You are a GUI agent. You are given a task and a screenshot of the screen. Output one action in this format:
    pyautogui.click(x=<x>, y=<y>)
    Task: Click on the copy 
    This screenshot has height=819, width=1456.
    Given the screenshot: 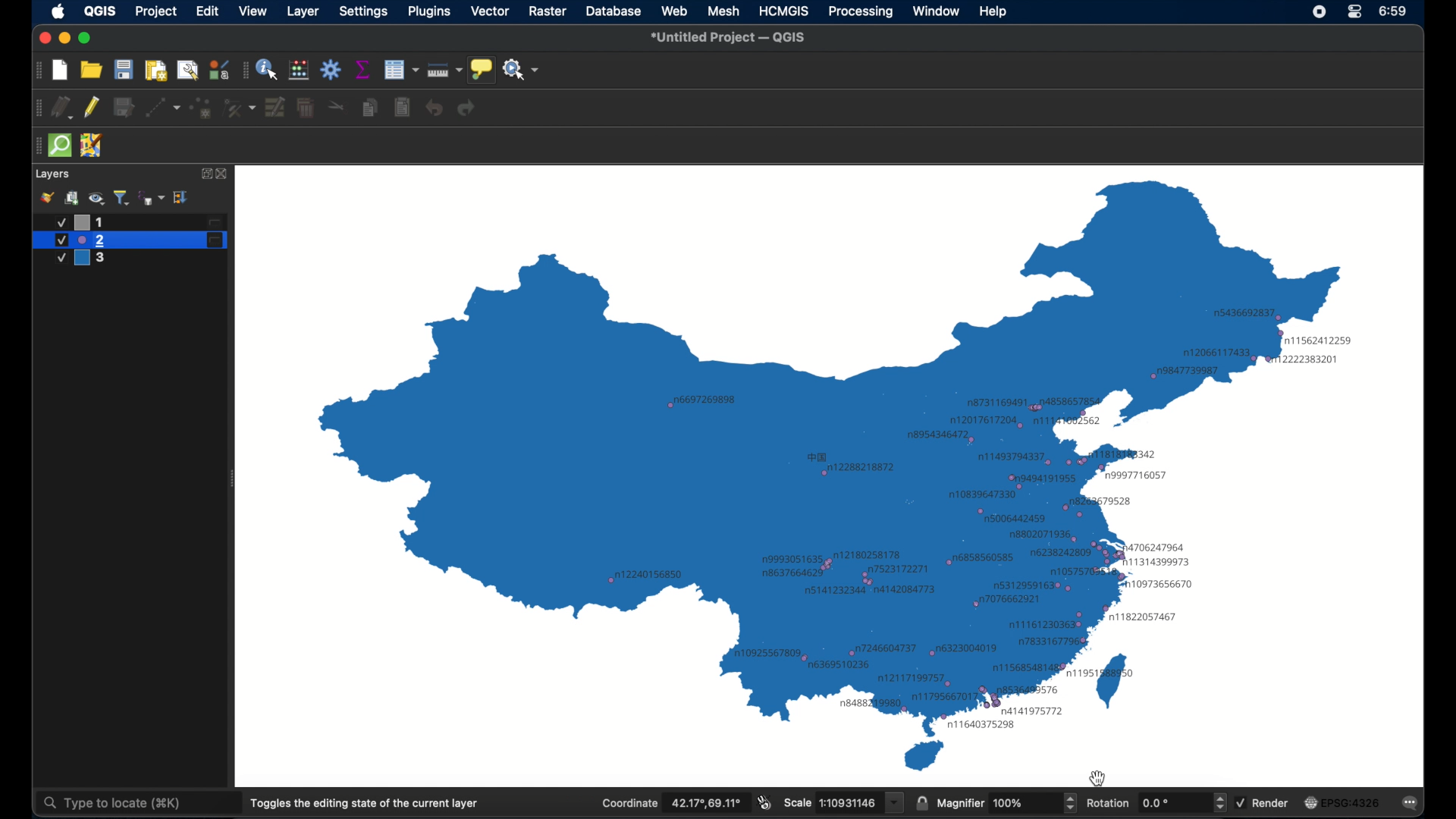 What is the action you would take?
    pyautogui.click(x=371, y=108)
    